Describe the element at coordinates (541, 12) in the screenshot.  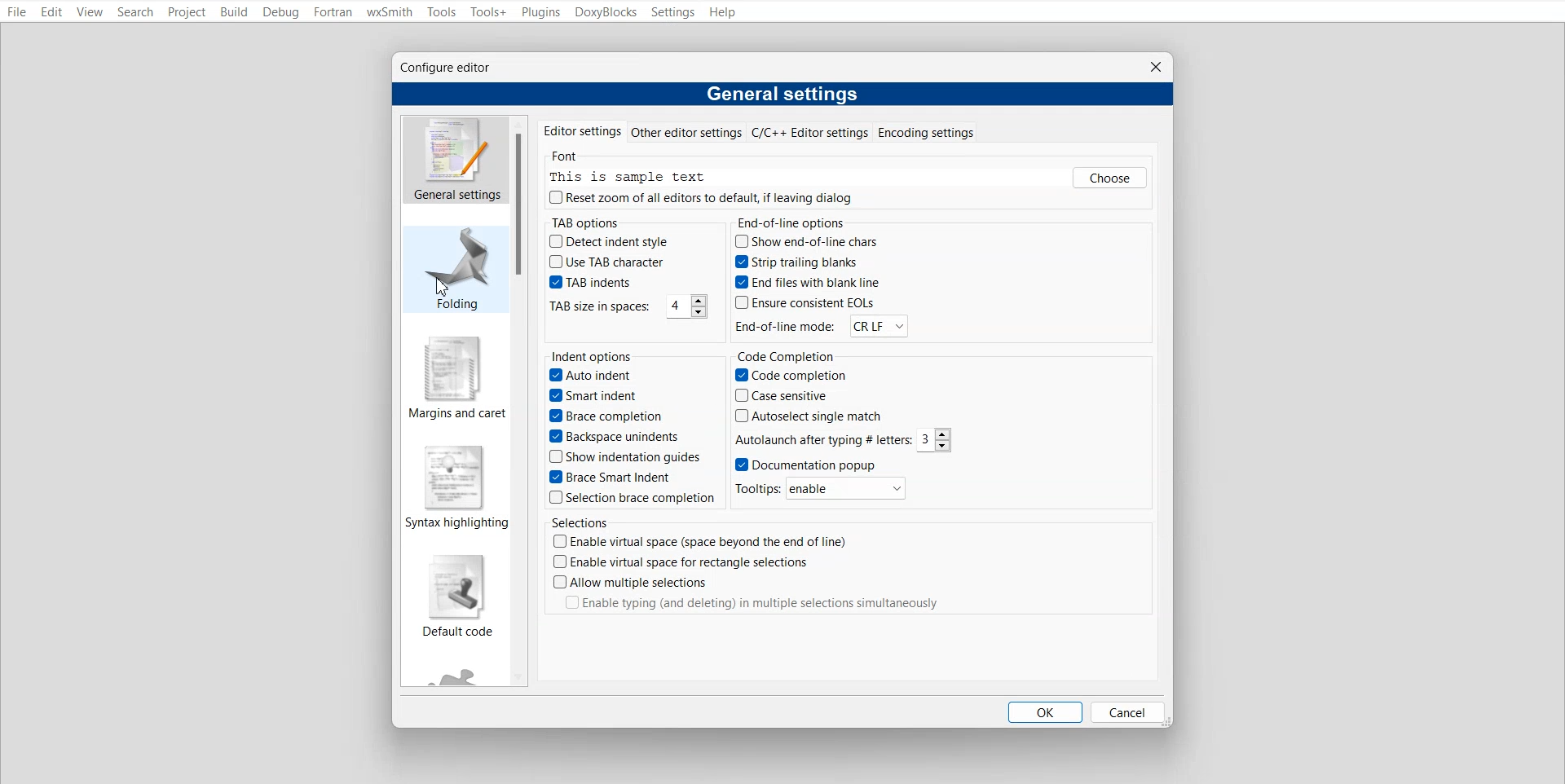
I see `Plugins` at that location.